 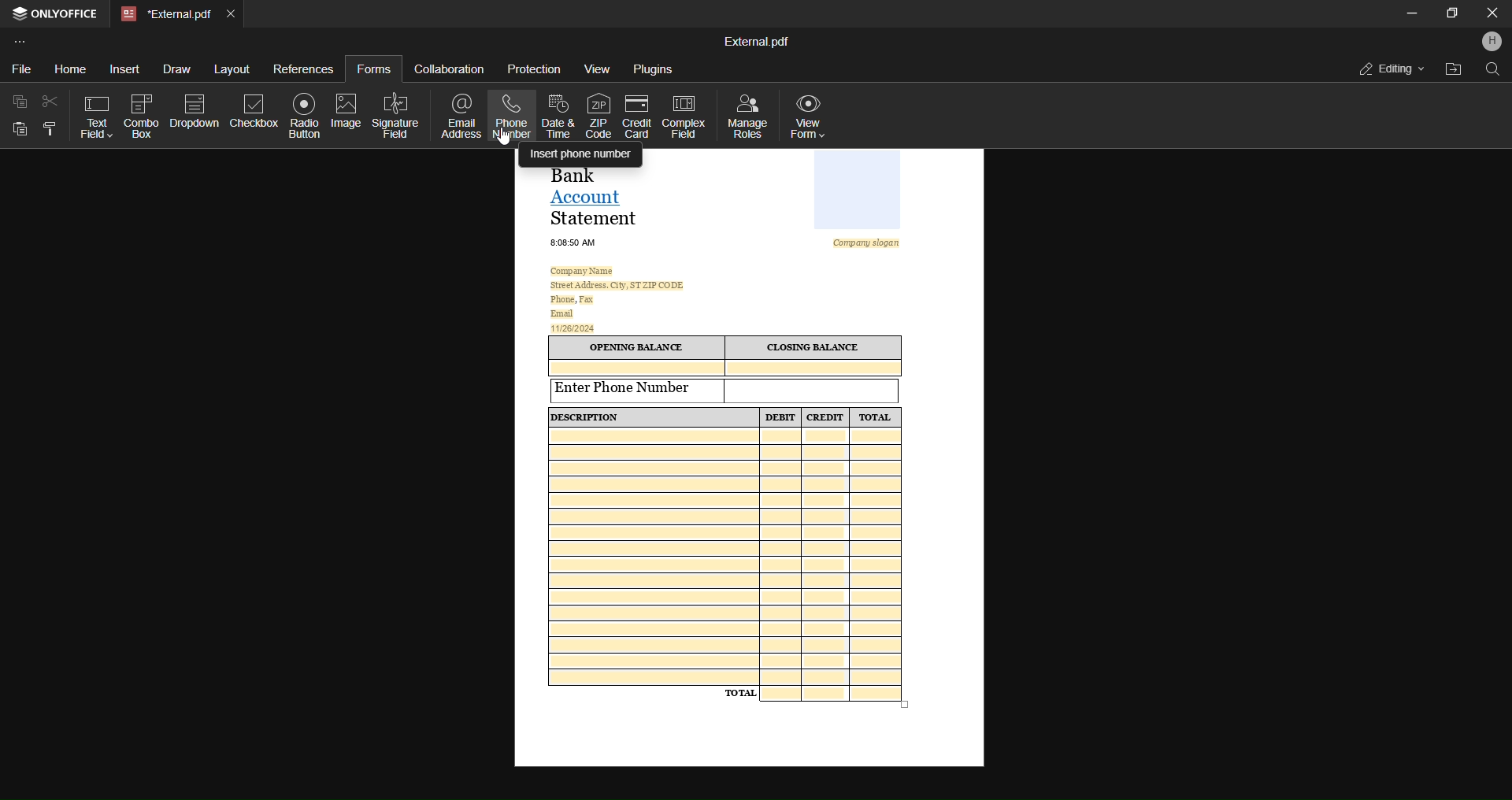 I want to click on references, so click(x=302, y=67).